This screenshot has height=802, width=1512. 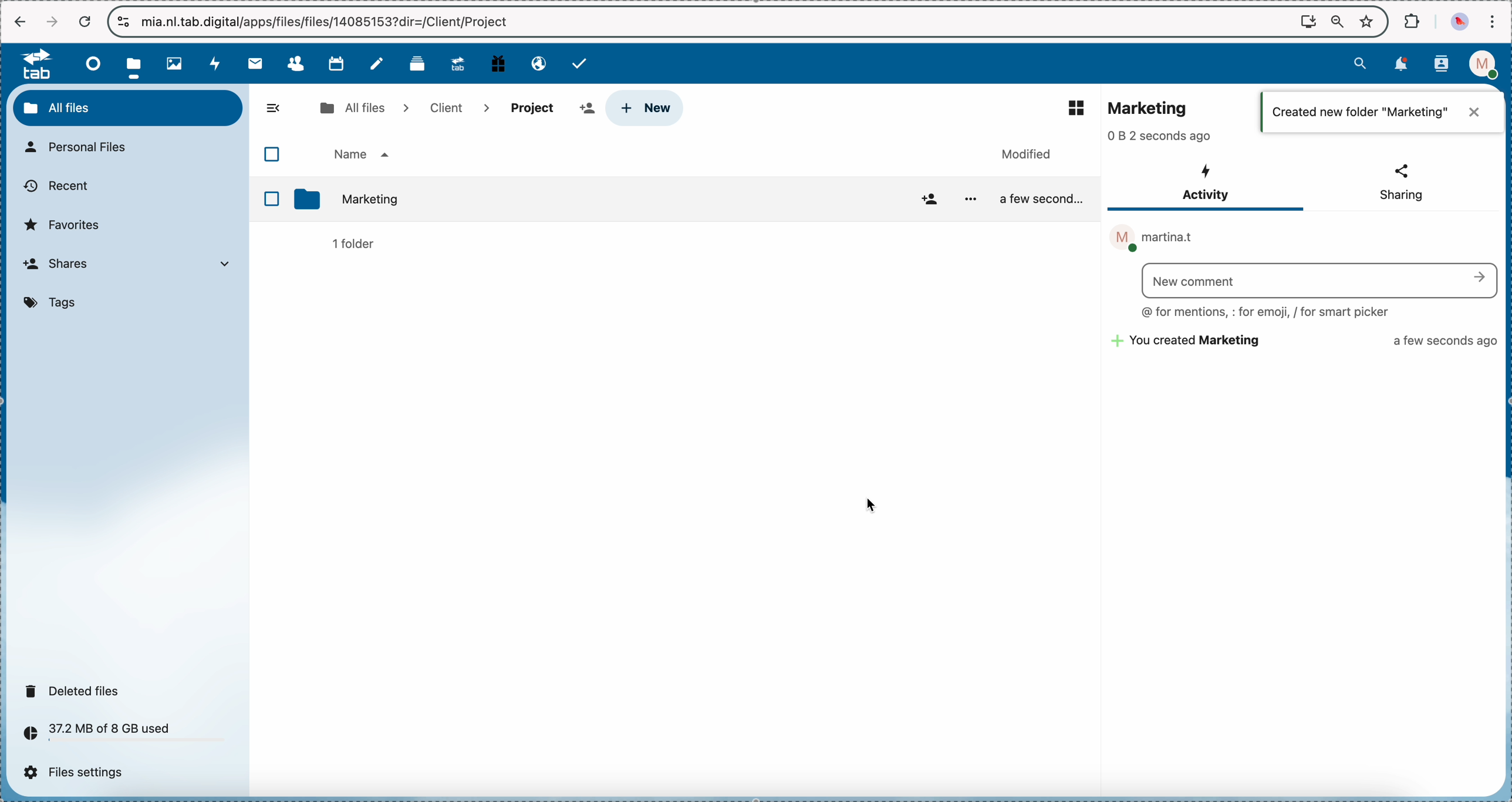 I want to click on checkbox, so click(x=274, y=156).